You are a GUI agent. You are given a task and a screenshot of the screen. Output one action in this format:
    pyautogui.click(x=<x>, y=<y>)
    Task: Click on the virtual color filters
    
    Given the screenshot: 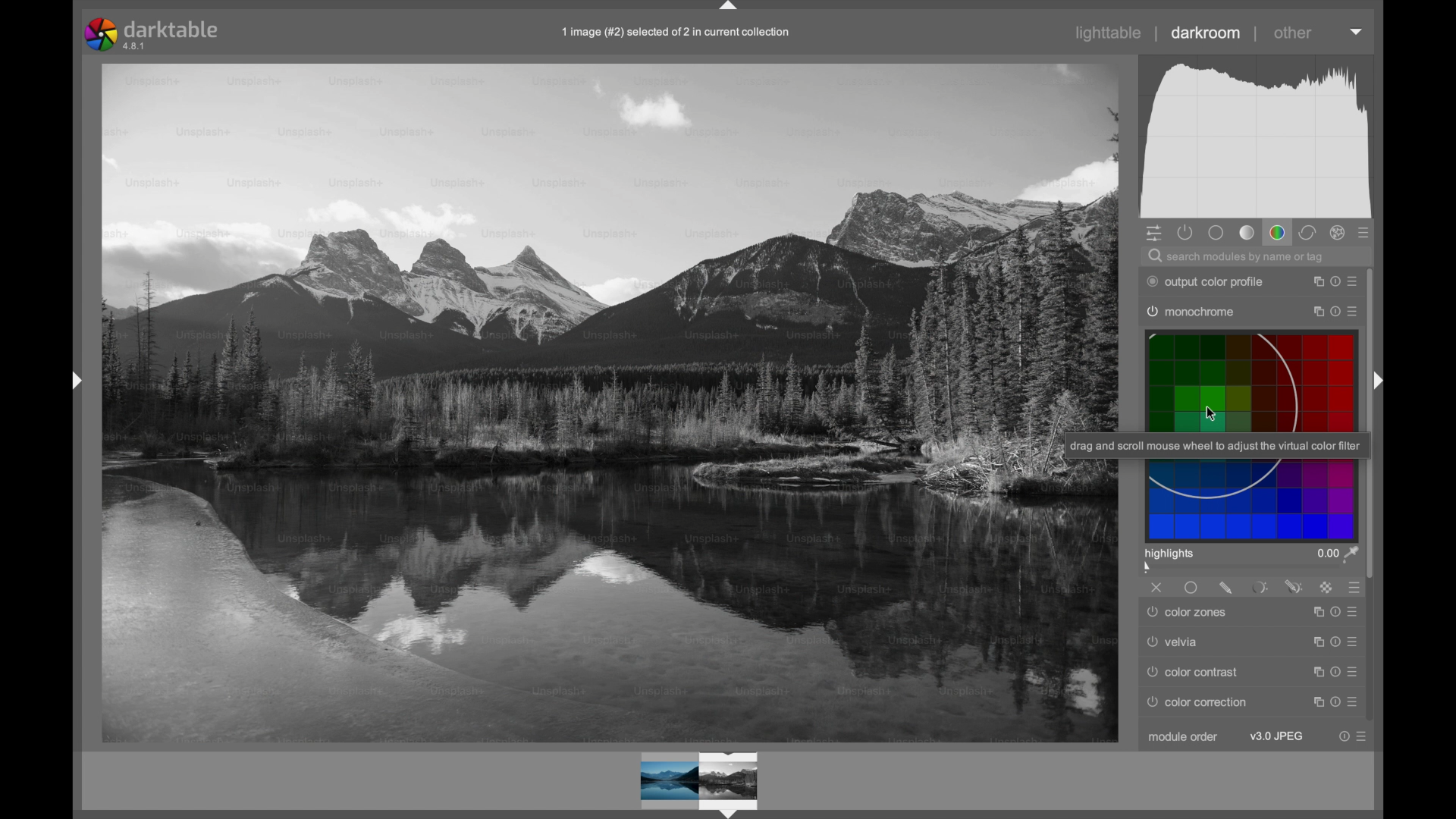 What is the action you would take?
    pyautogui.click(x=1248, y=437)
    